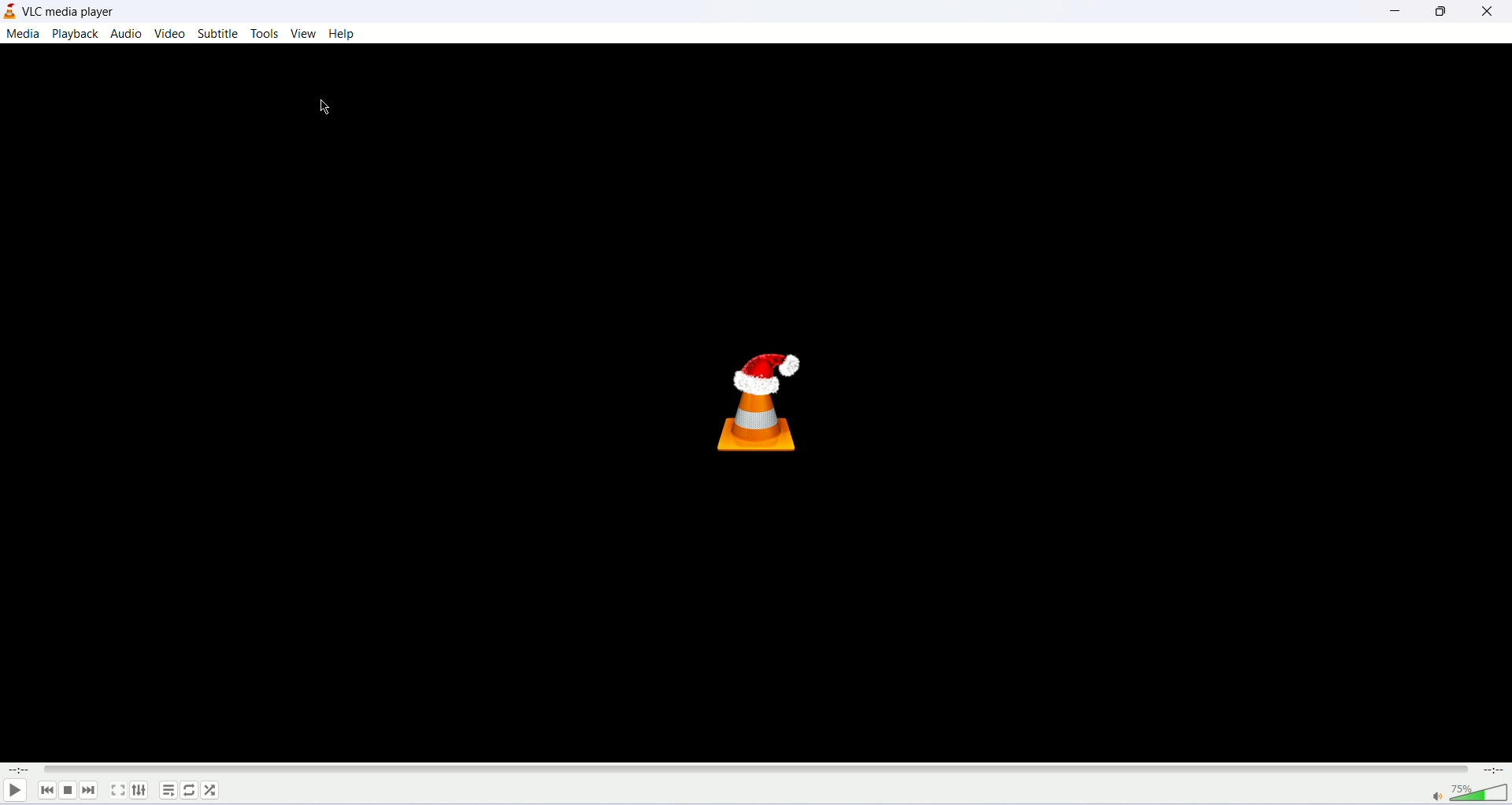 The width and height of the screenshot is (1512, 805). I want to click on progress bar, so click(754, 768).